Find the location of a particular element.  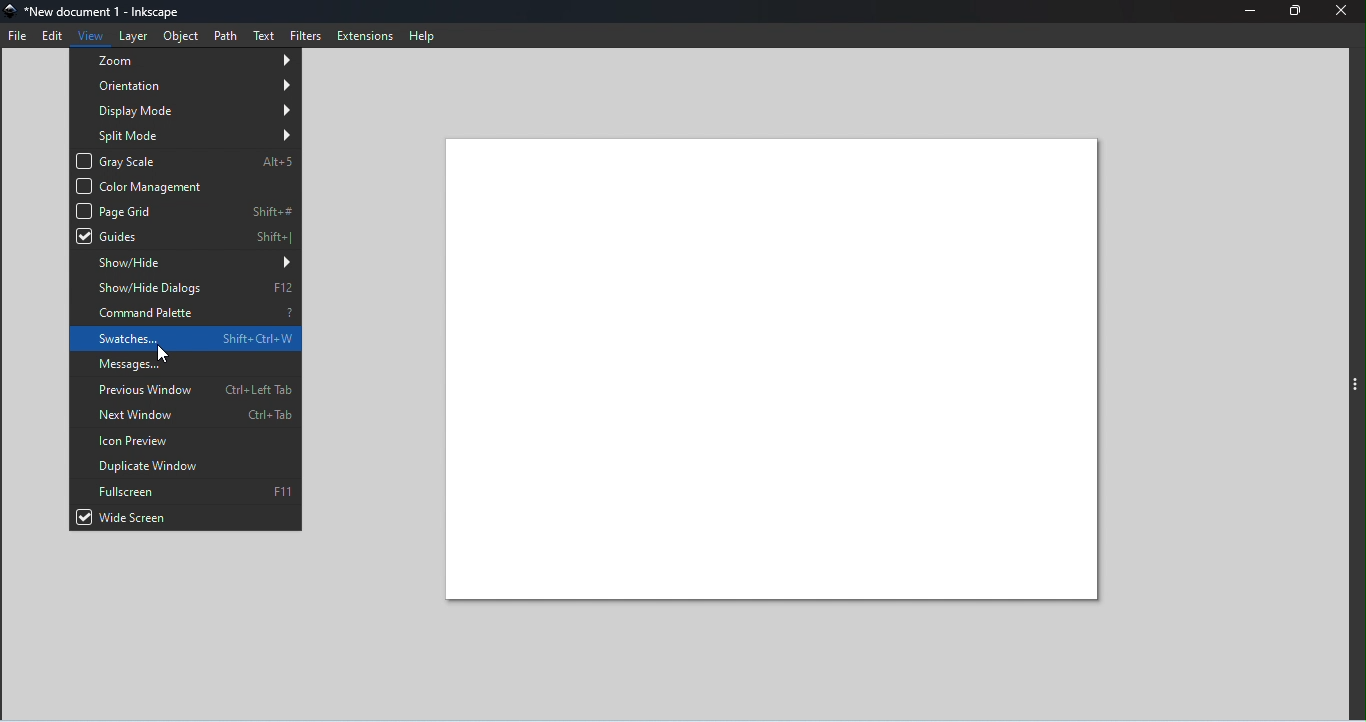

Wide screen is located at coordinates (186, 518).